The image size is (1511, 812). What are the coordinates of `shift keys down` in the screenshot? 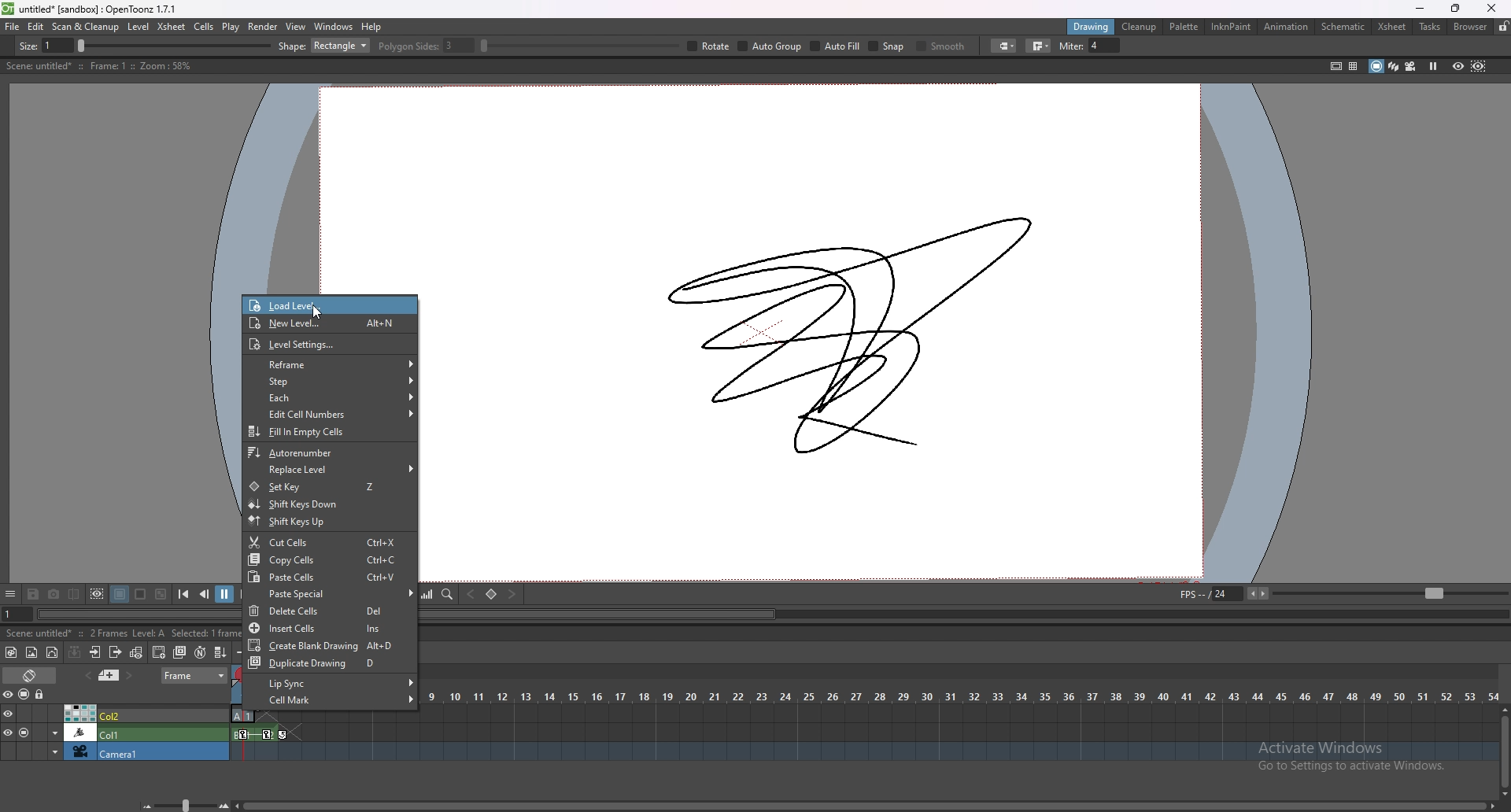 It's located at (329, 504).